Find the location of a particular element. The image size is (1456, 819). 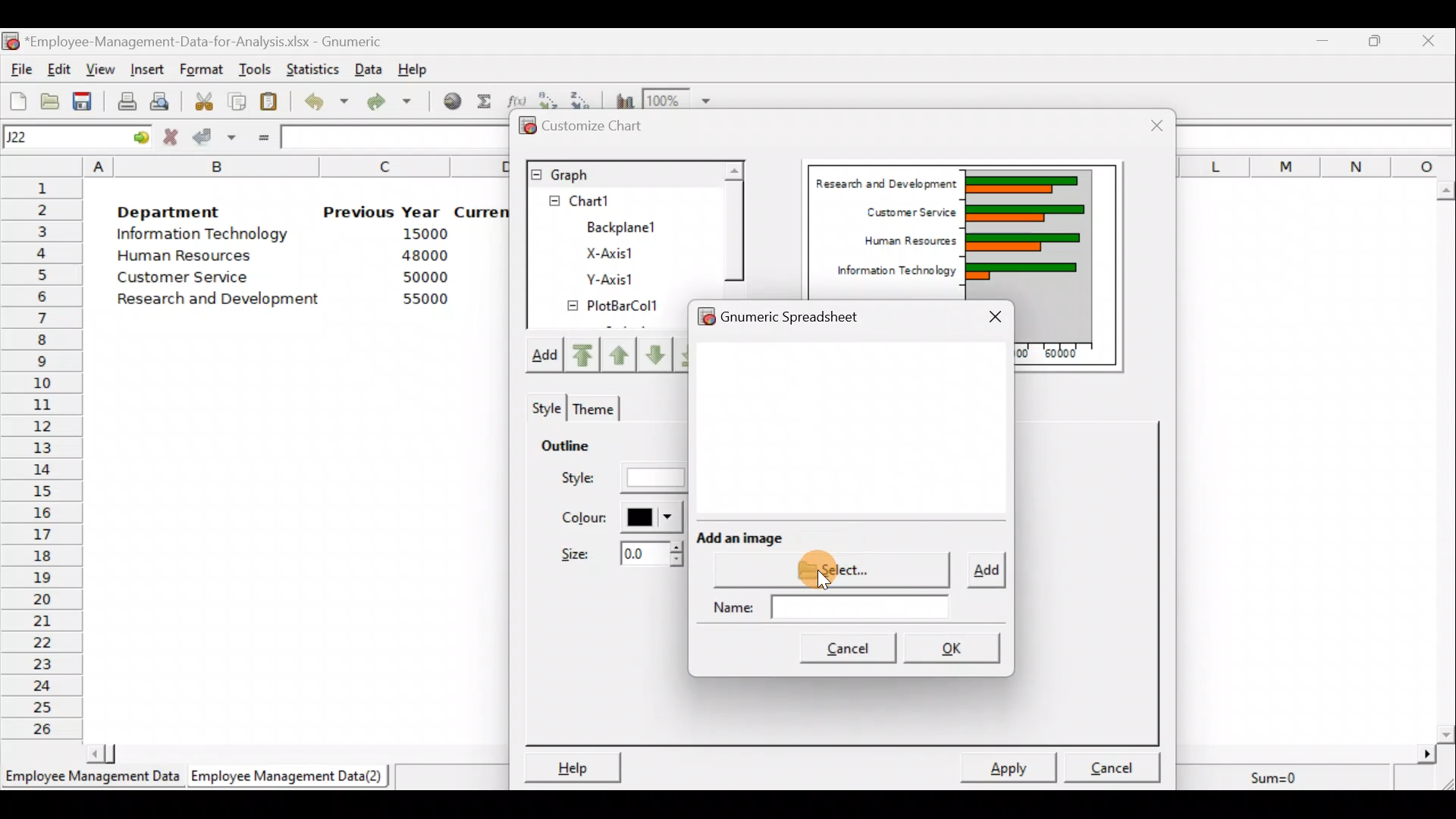

Customer Service is located at coordinates (904, 212).